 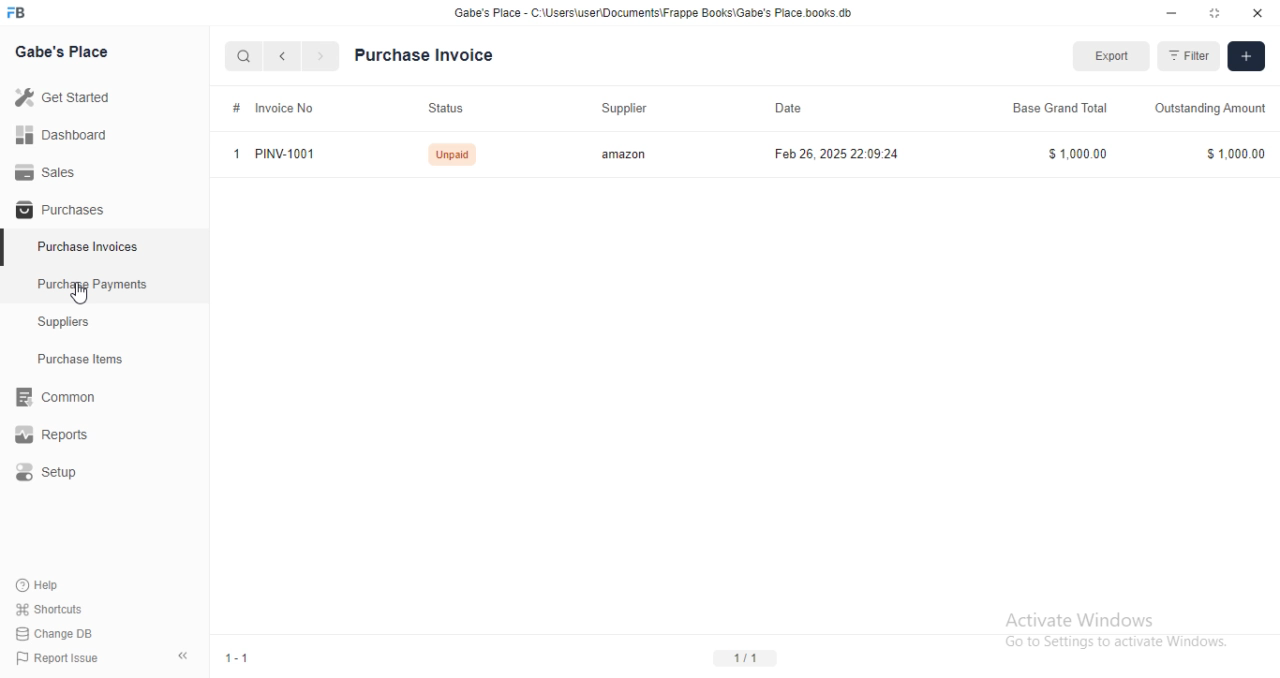 I want to click on PINV-1001, so click(x=290, y=154).